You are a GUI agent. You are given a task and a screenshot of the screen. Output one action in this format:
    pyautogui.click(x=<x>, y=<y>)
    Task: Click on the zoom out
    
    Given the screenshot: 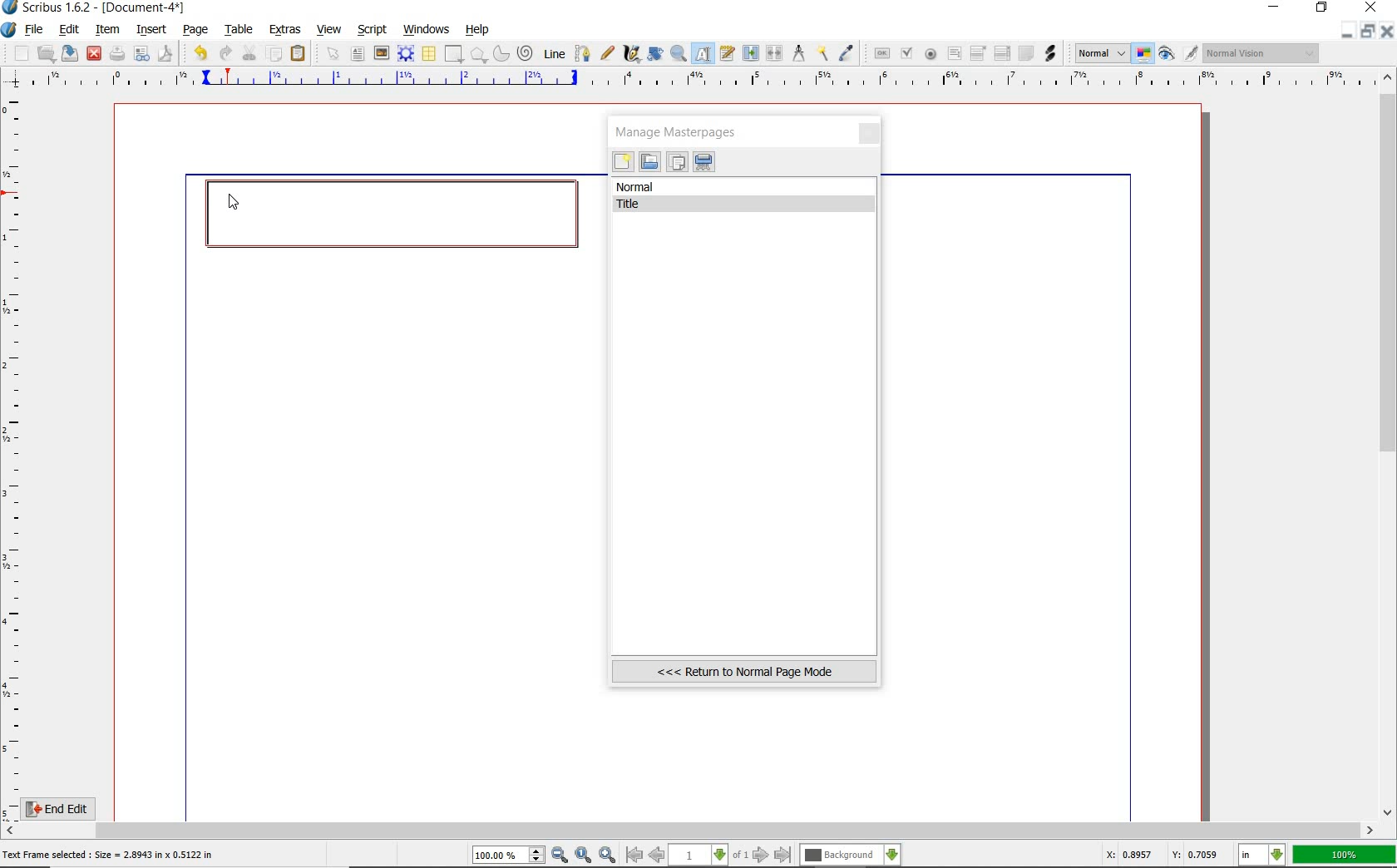 What is the action you would take?
    pyautogui.click(x=560, y=856)
    